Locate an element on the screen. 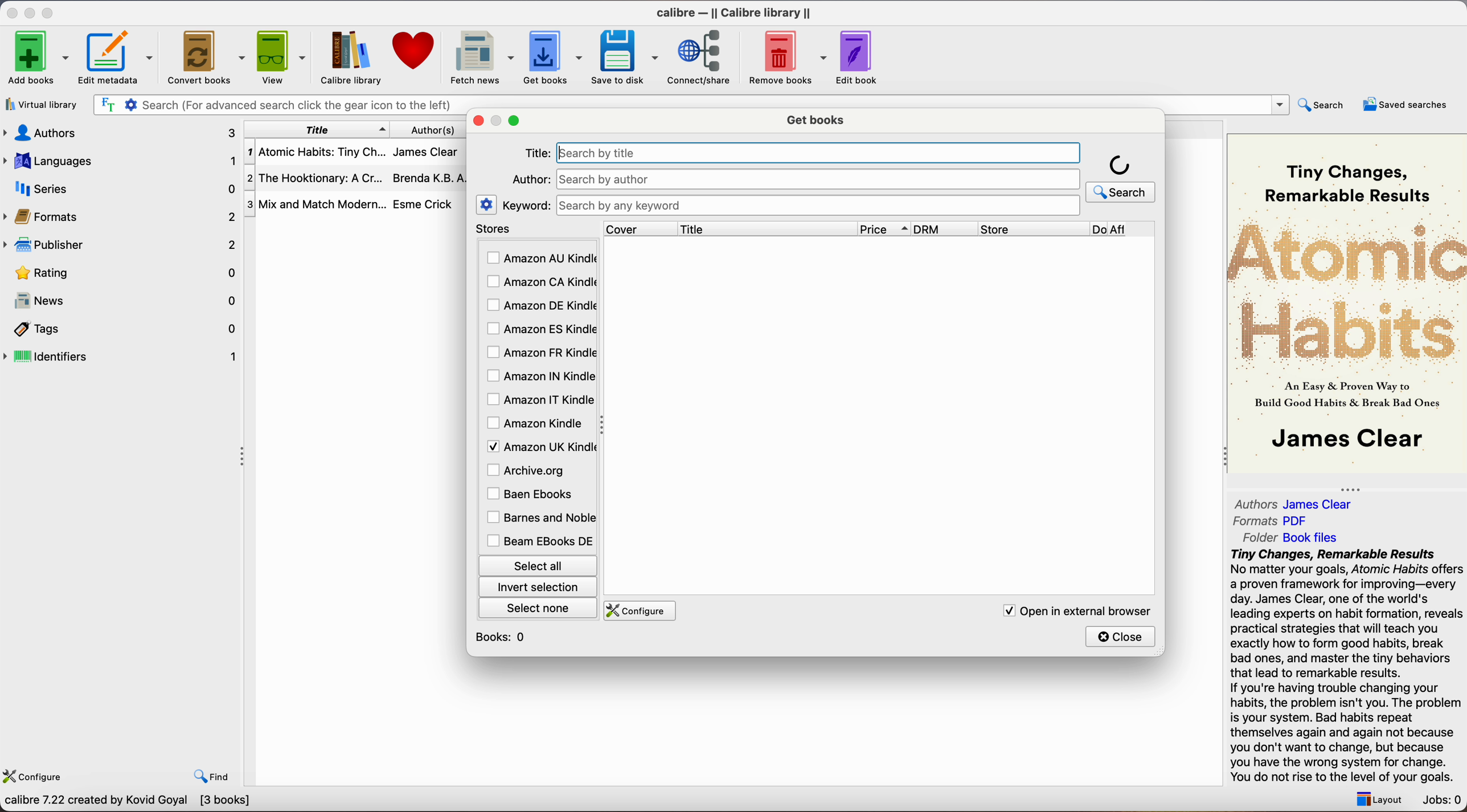 Image resolution: width=1467 pixels, height=812 pixels. select all is located at coordinates (536, 564).